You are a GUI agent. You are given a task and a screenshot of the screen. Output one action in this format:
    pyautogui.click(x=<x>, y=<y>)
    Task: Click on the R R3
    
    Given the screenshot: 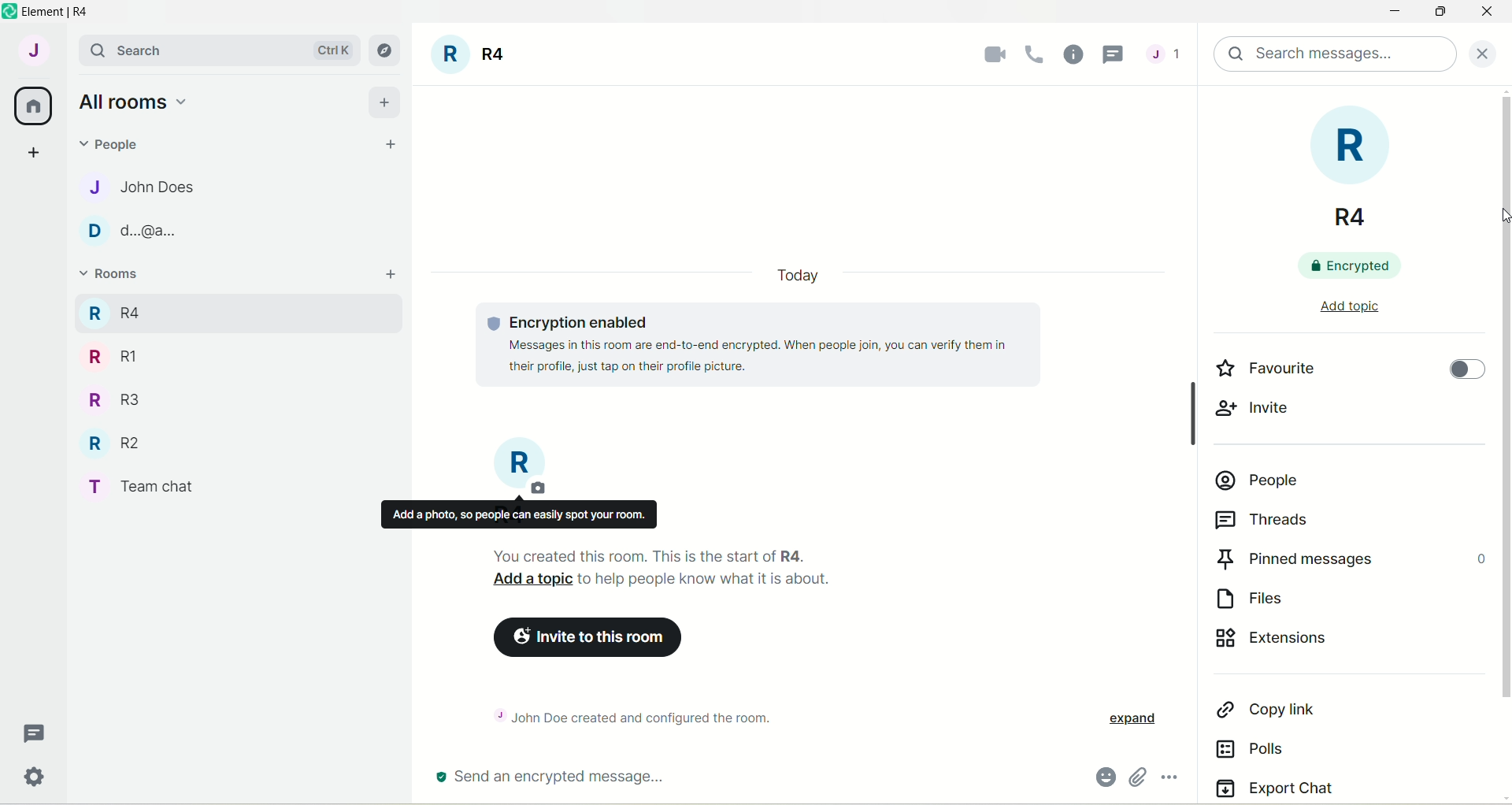 What is the action you would take?
    pyautogui.click(x=109, y=398)
    